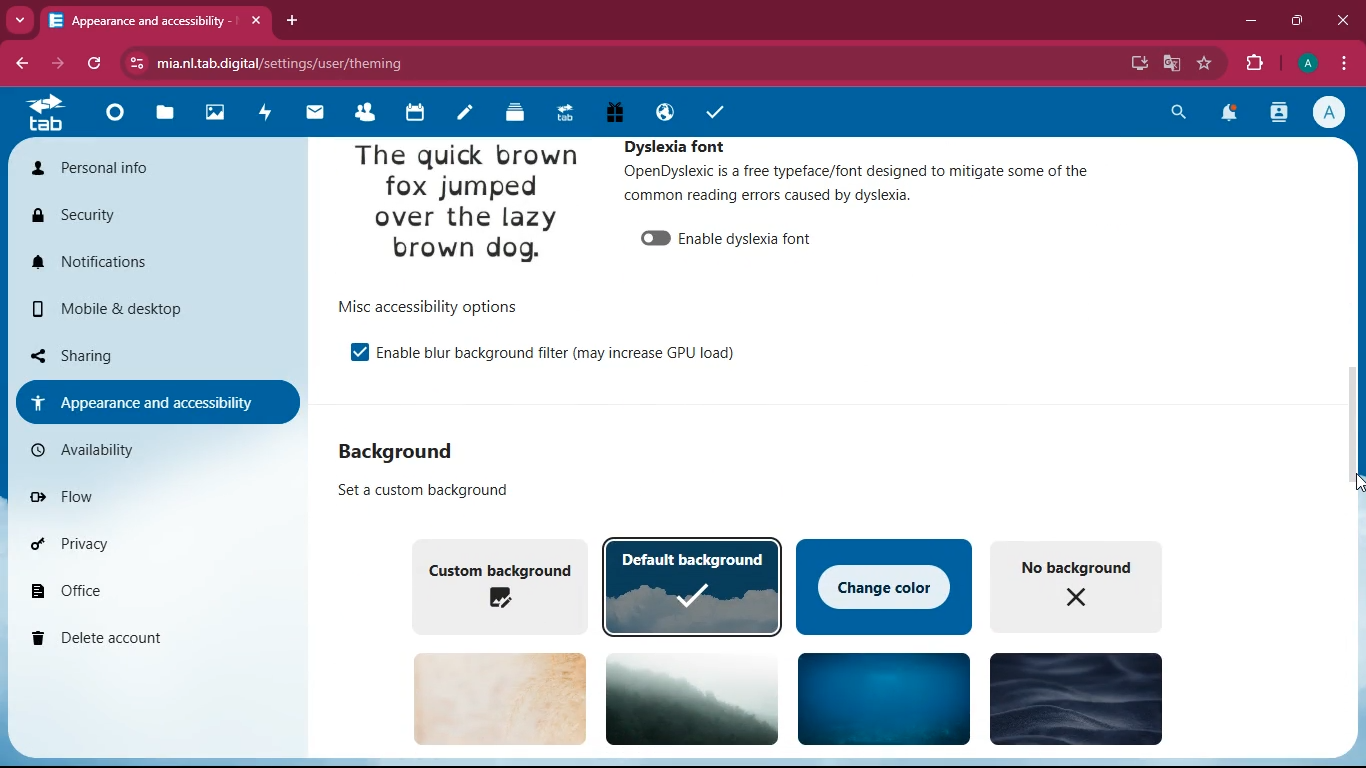 The width and height of the screenshot is (1366, 768). Describe the element at coordinates (511, 114) in the screenshot. I see `layers` at that location.